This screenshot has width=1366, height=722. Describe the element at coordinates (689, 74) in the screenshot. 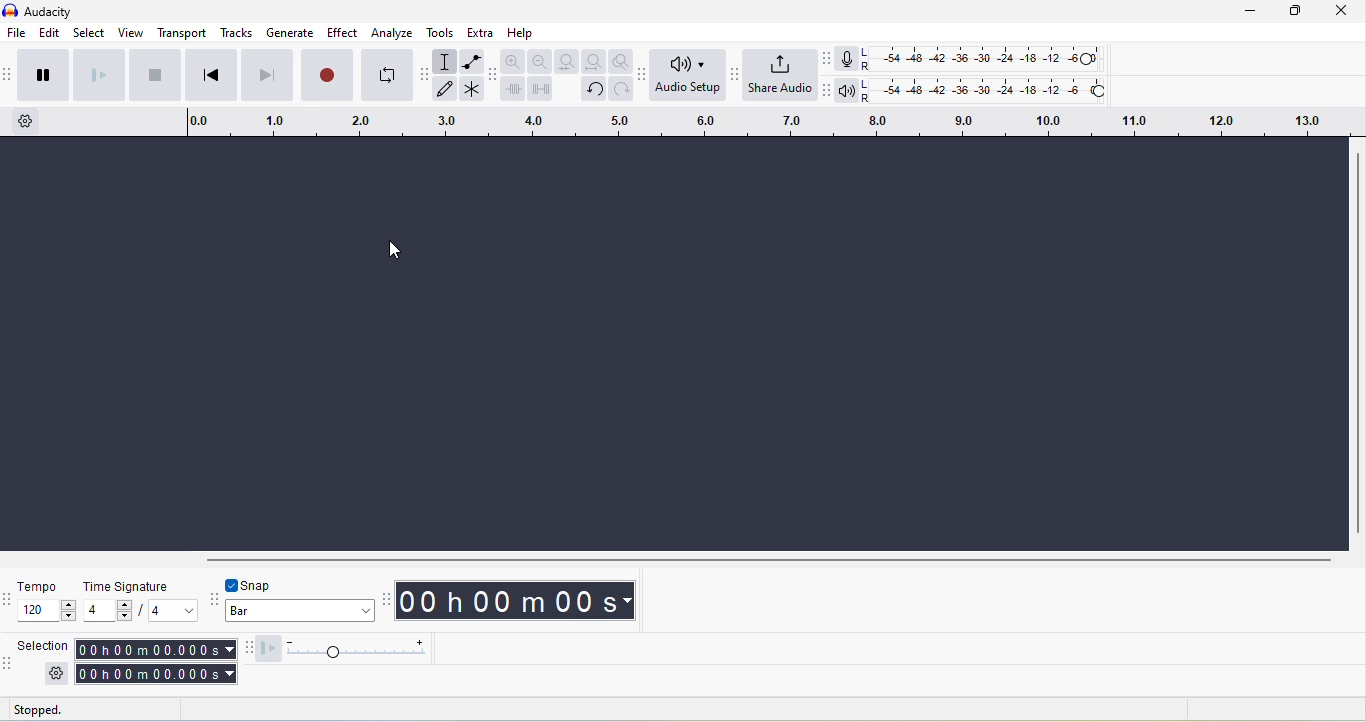

I see `audio setup` at that location.